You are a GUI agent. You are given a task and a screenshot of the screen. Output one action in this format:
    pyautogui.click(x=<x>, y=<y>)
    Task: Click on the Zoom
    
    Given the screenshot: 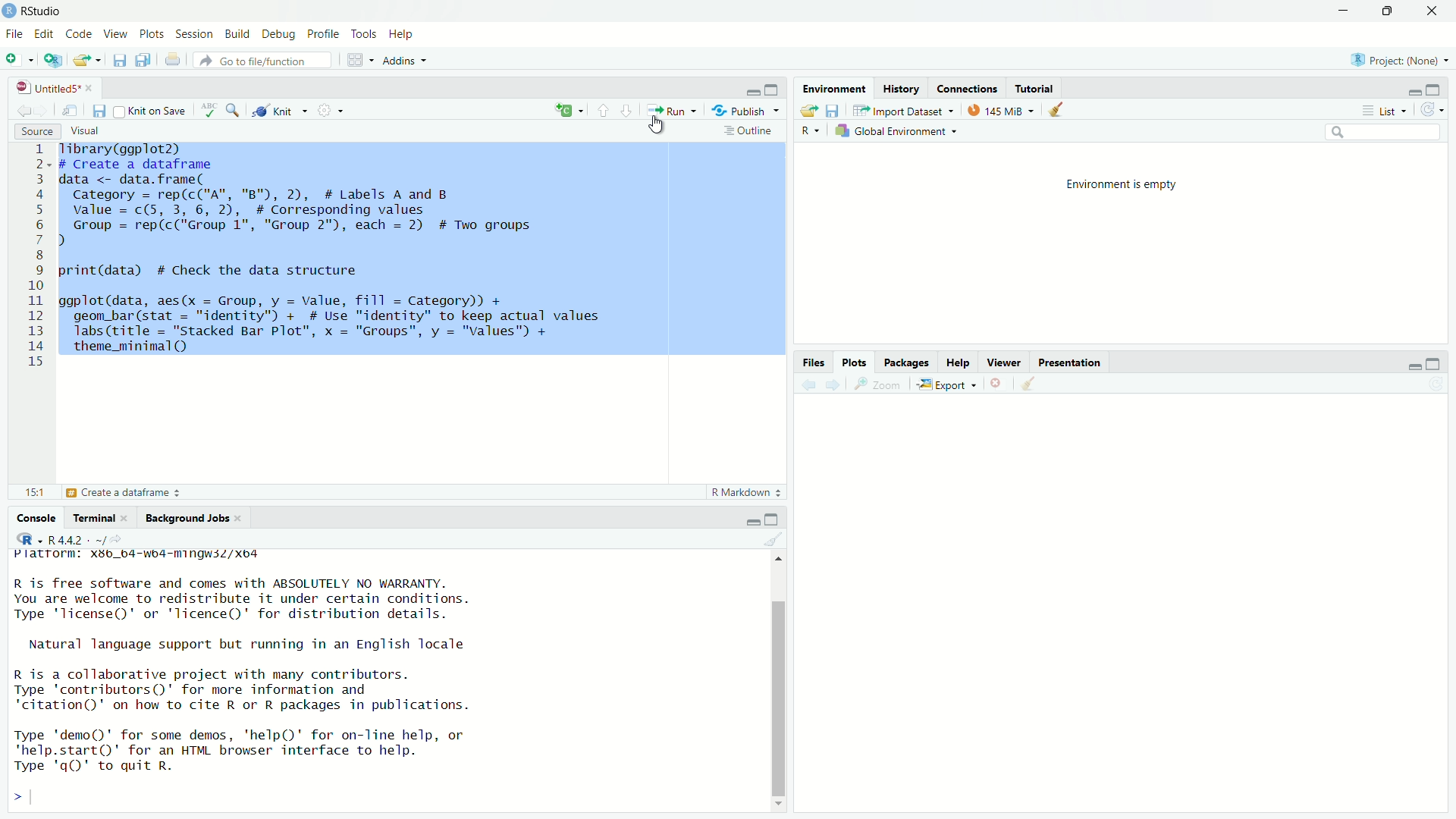 What is the action you would take?
    pyautogui.click(x=880, y=384)
    